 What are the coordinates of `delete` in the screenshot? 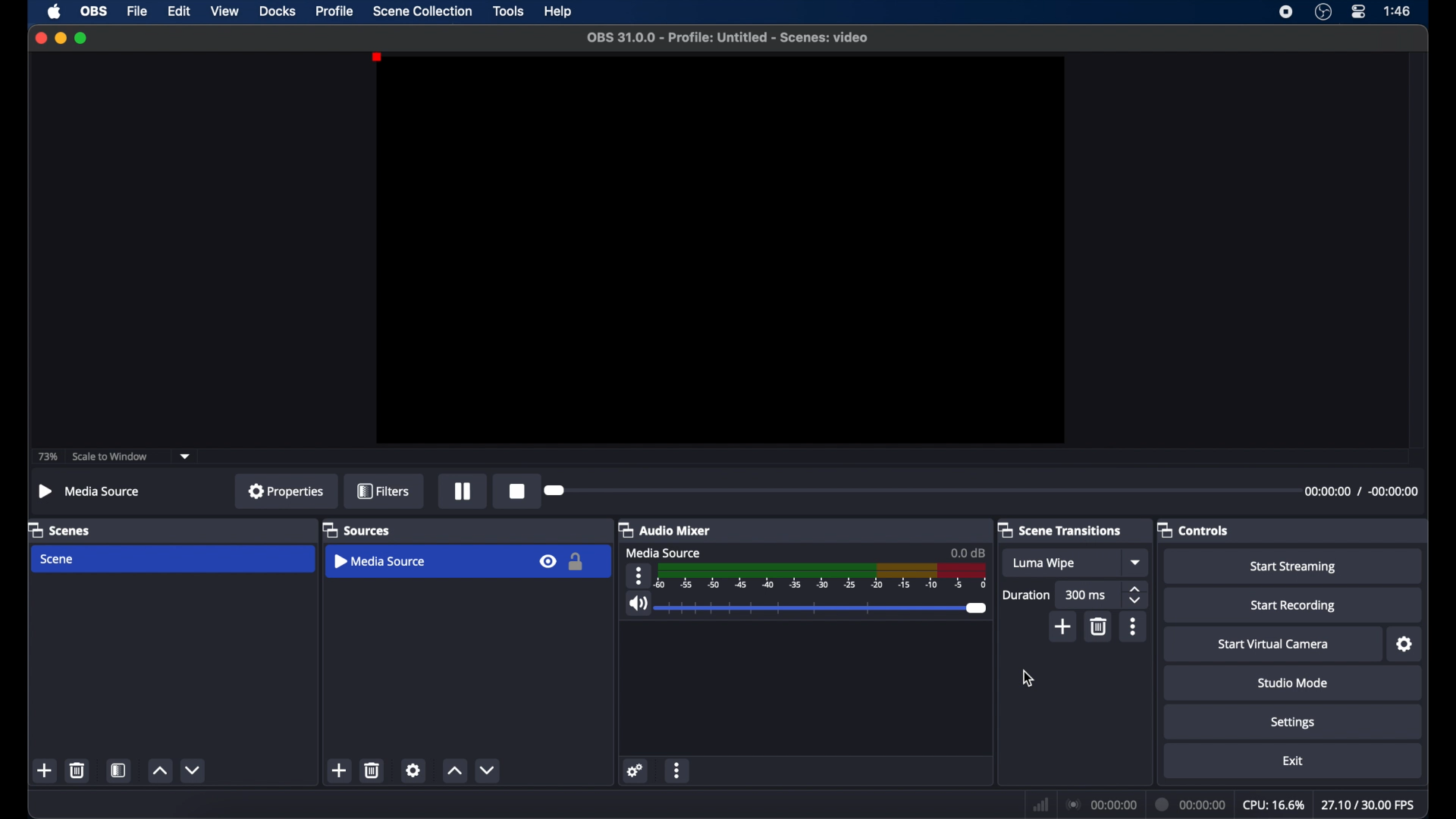 It's located at (372, 770).